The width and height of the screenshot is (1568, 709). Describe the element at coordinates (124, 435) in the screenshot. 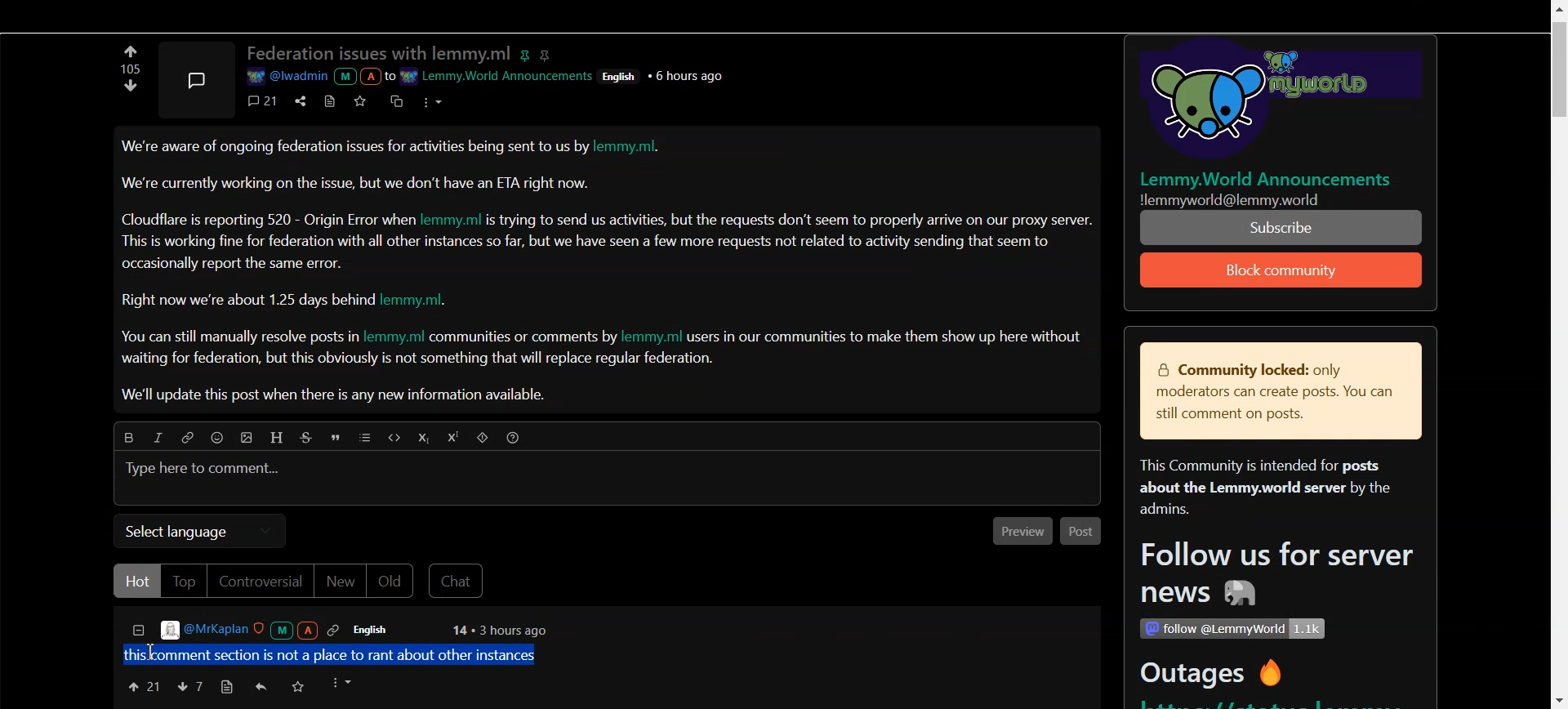

I see `Bold` at that location.